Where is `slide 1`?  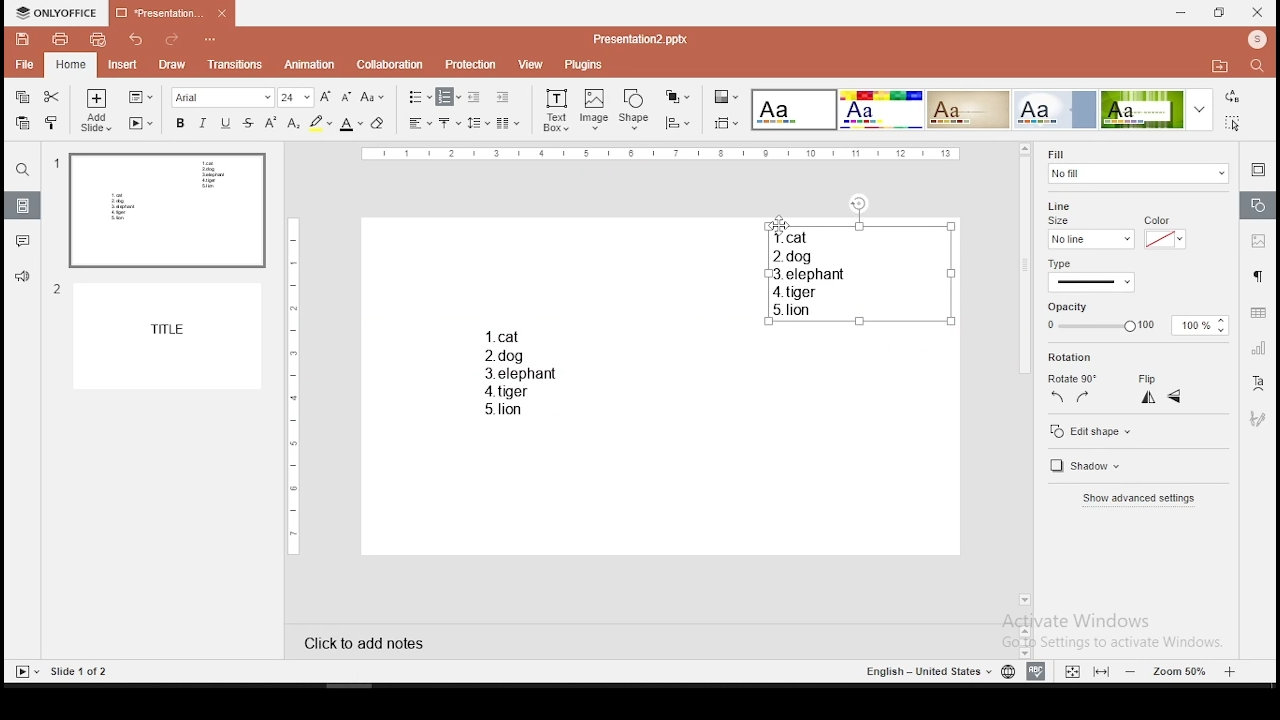 slide 1 is located at coordinates (166, 211).